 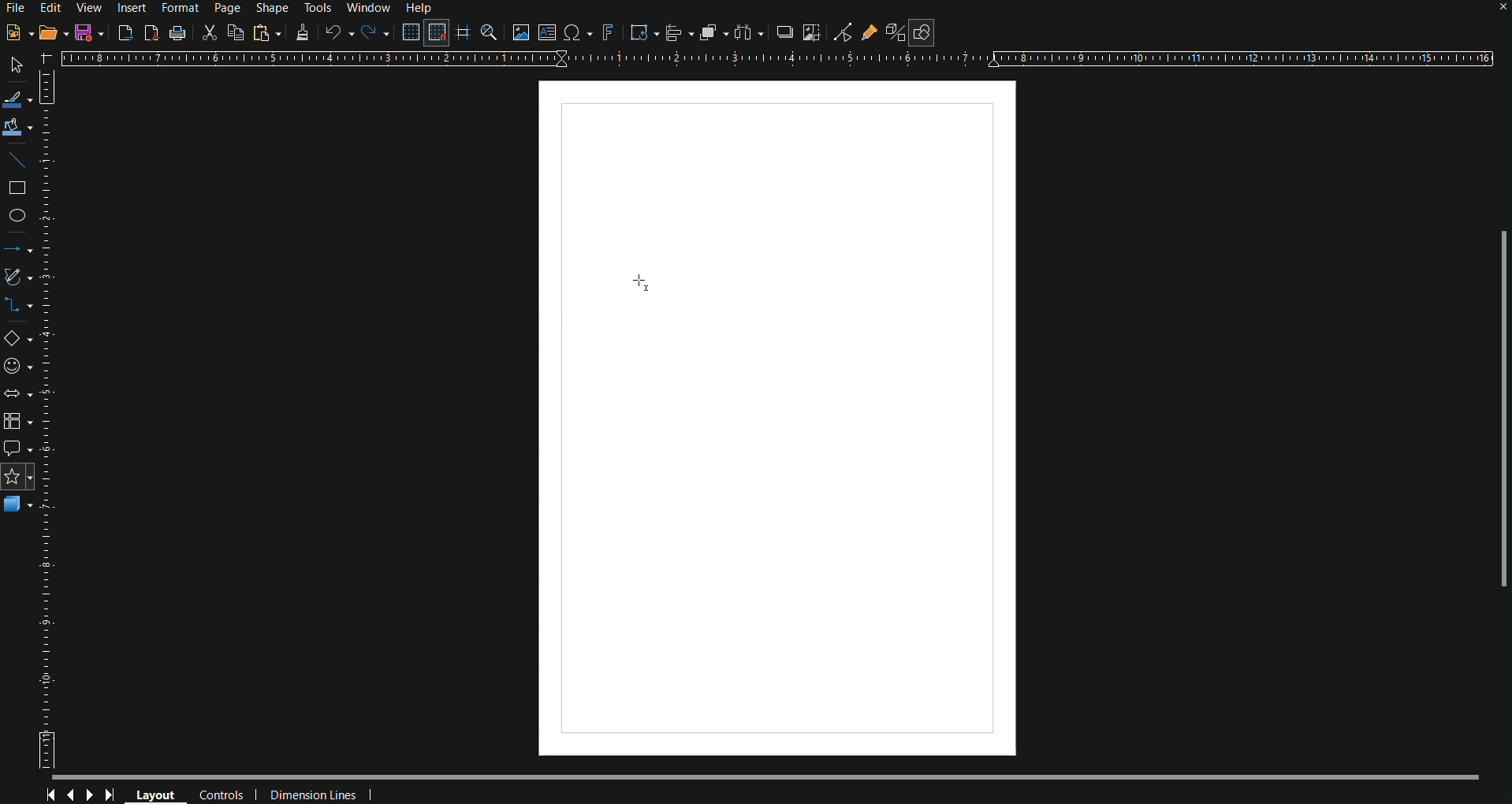 What do you see at coordinates (766, 776) in the screenshot?
I see `Scrollbar` at bounding box center [766, 776].